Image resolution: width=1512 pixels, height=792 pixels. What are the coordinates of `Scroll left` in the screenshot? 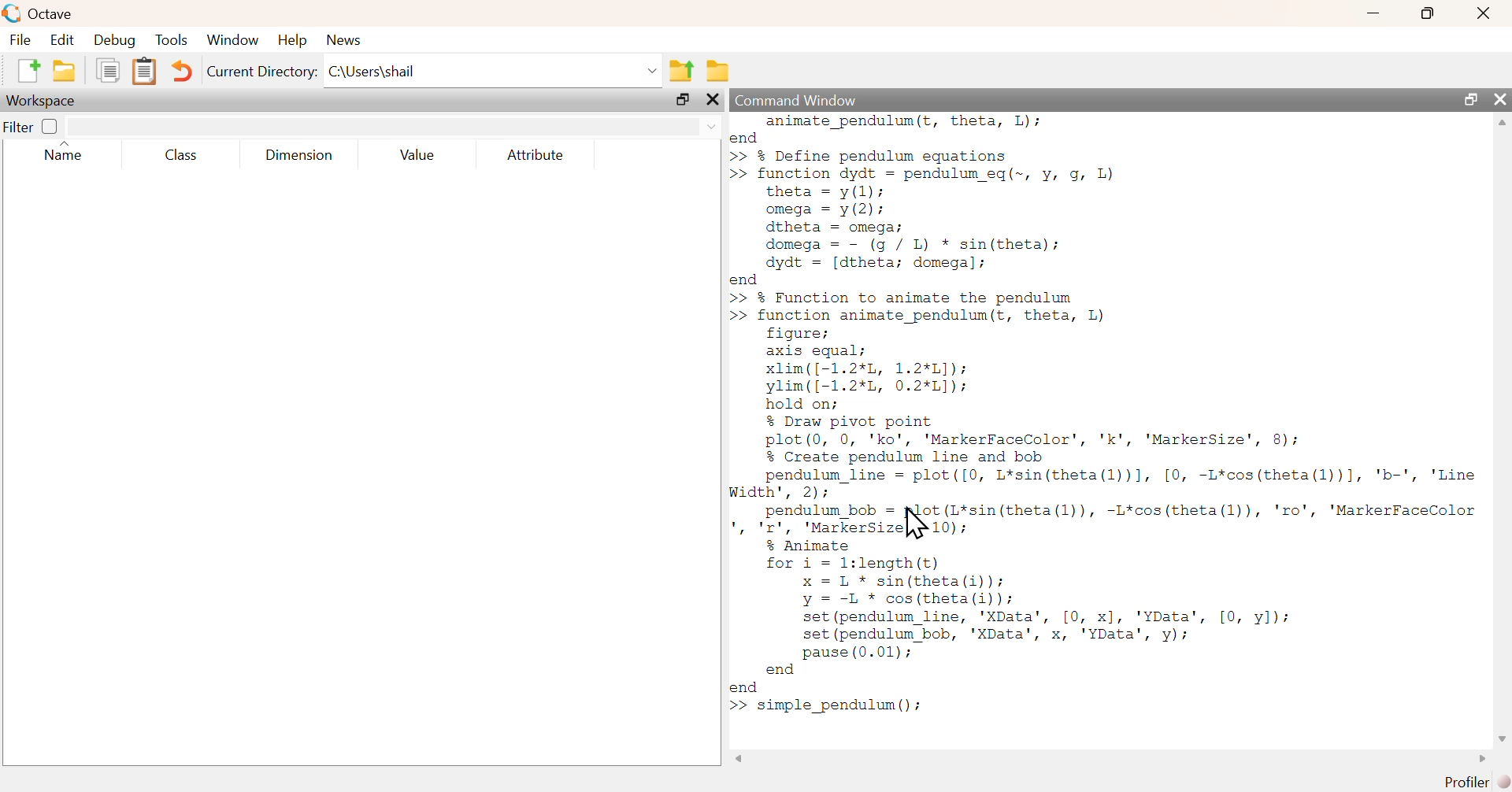 It's located at (744, 759).